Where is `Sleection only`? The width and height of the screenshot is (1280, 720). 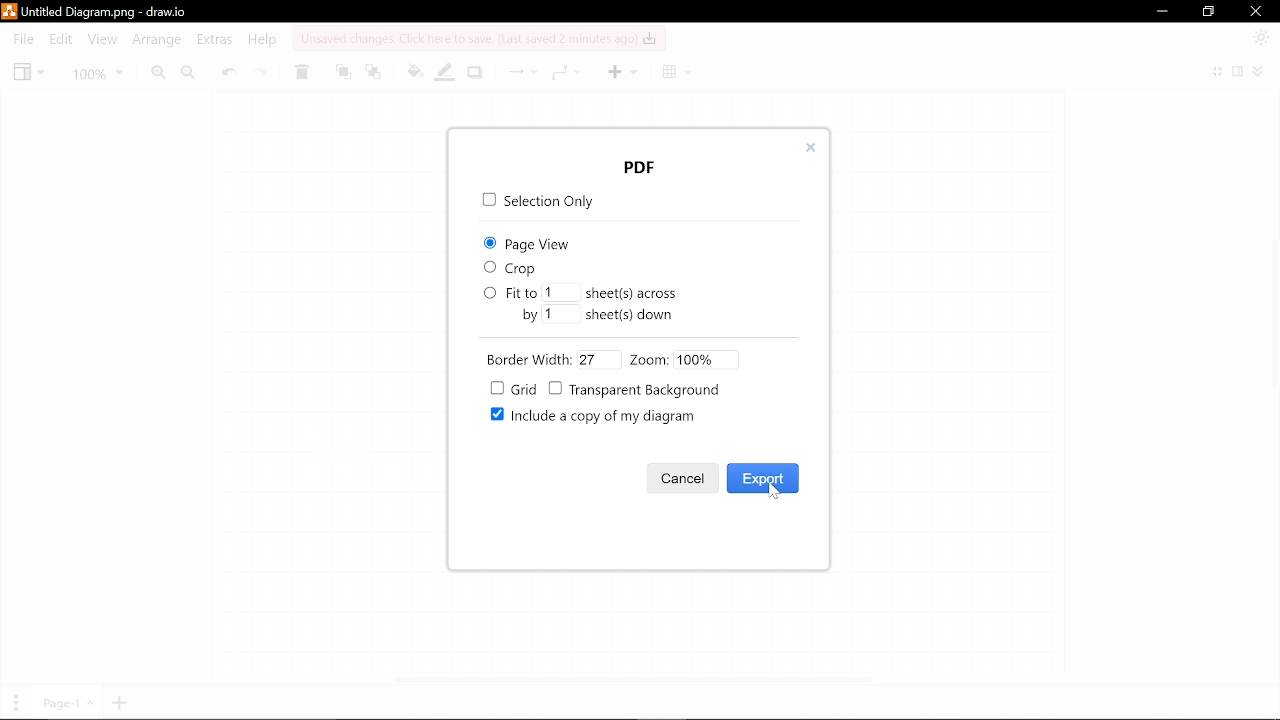 Sleection only is located at coordinates (538, 199).